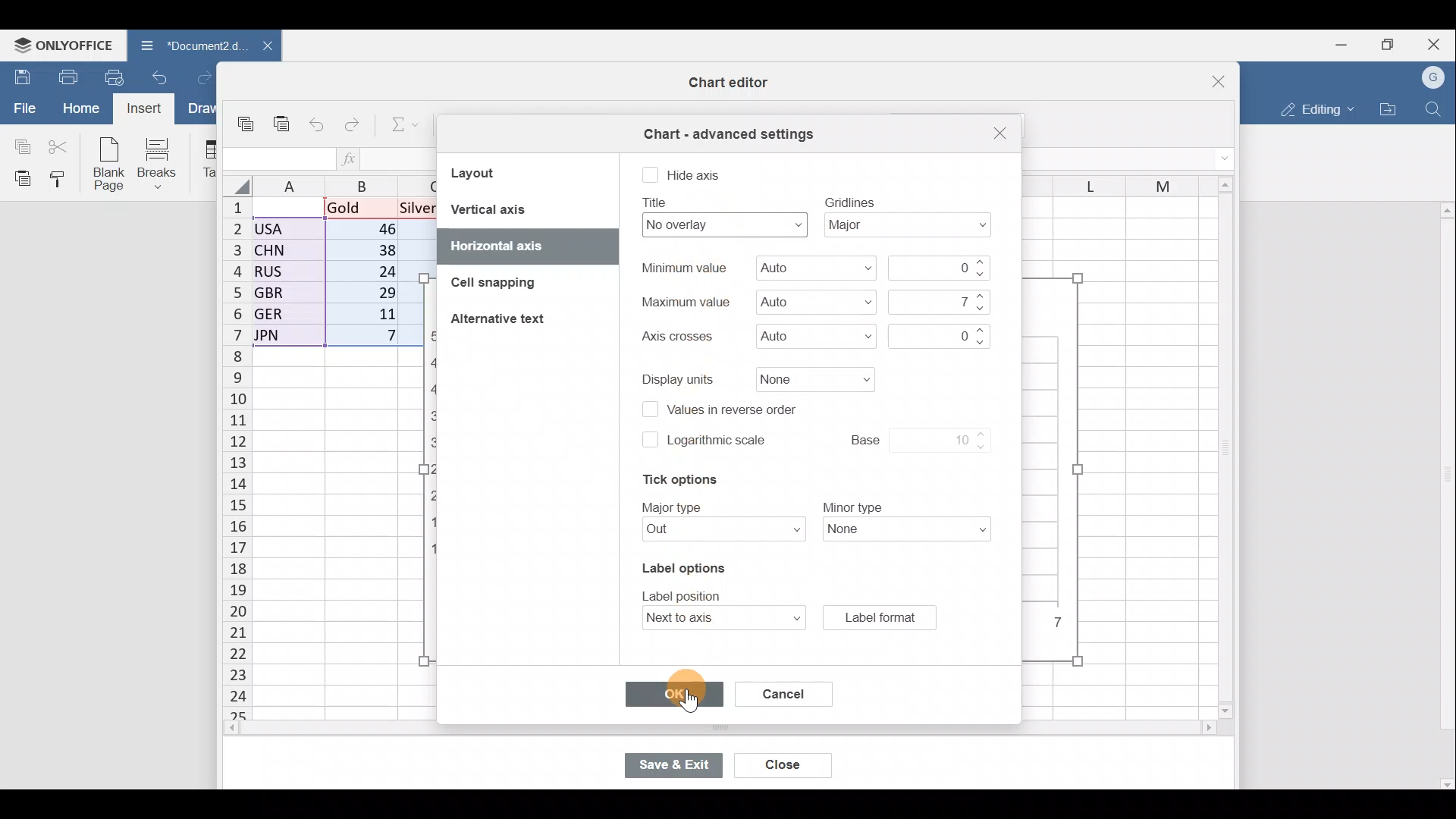 The height and width of the screenshot is (819, 1456). What do you see at coordinates (802, 336) in the screenshot?
I see `Axis crosses` at bounding box center [802, 336].